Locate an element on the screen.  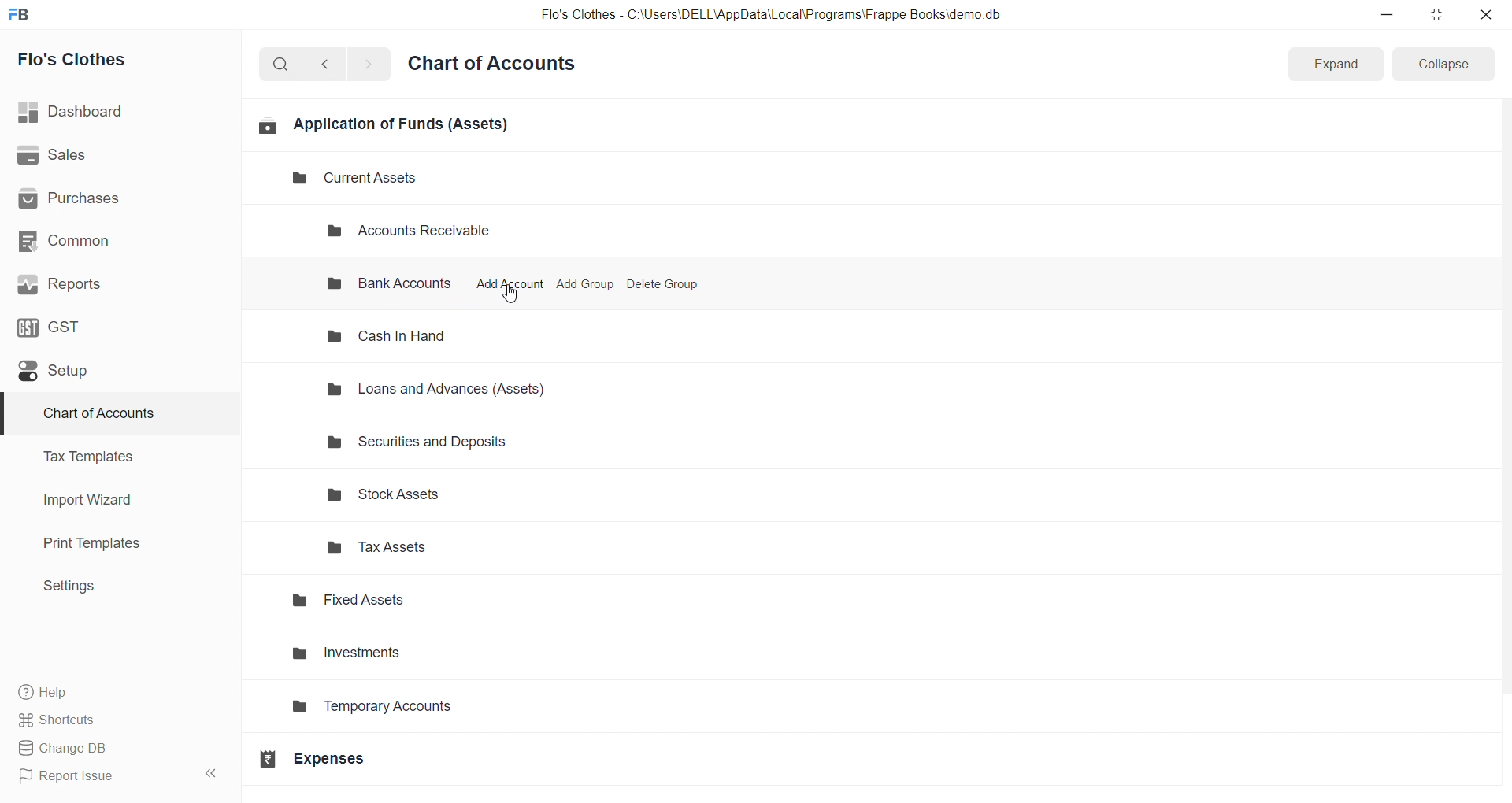
Tax Templates is located at coordinates (111, 457).